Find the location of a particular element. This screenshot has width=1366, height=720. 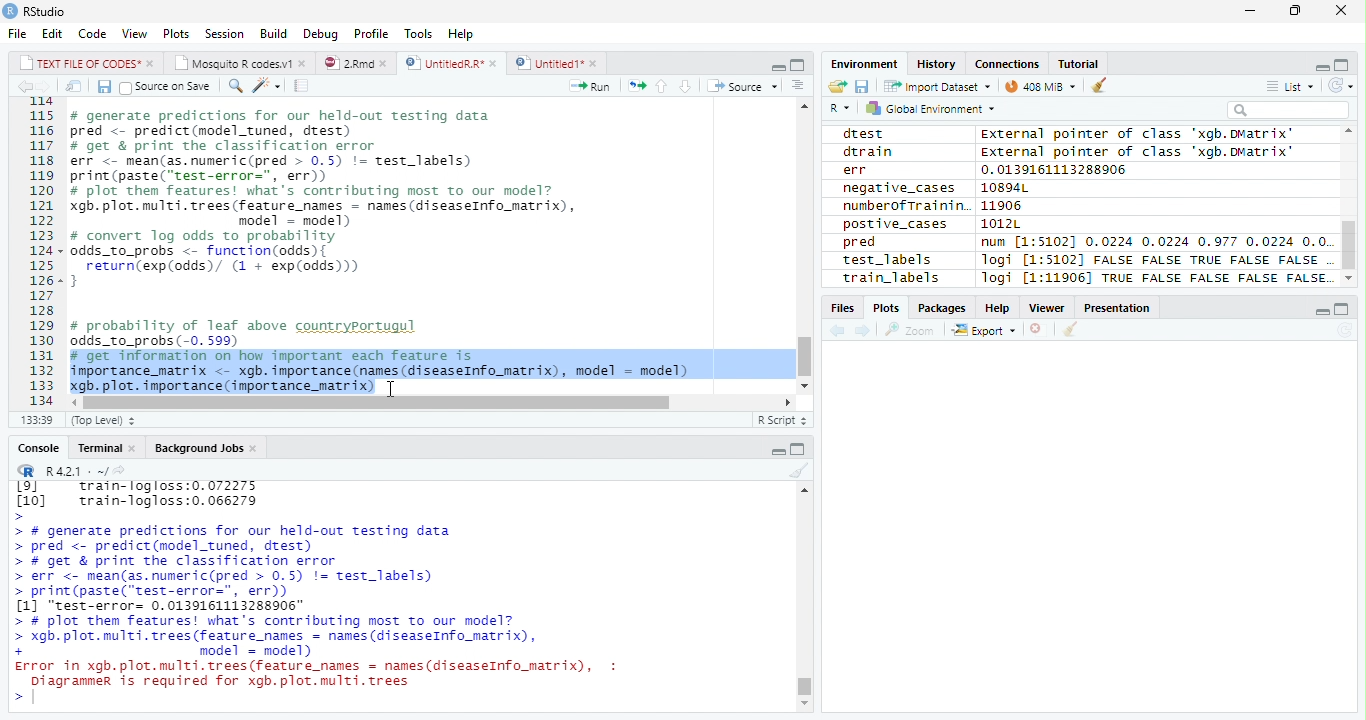

Search is located at coordinates (1288, 110).